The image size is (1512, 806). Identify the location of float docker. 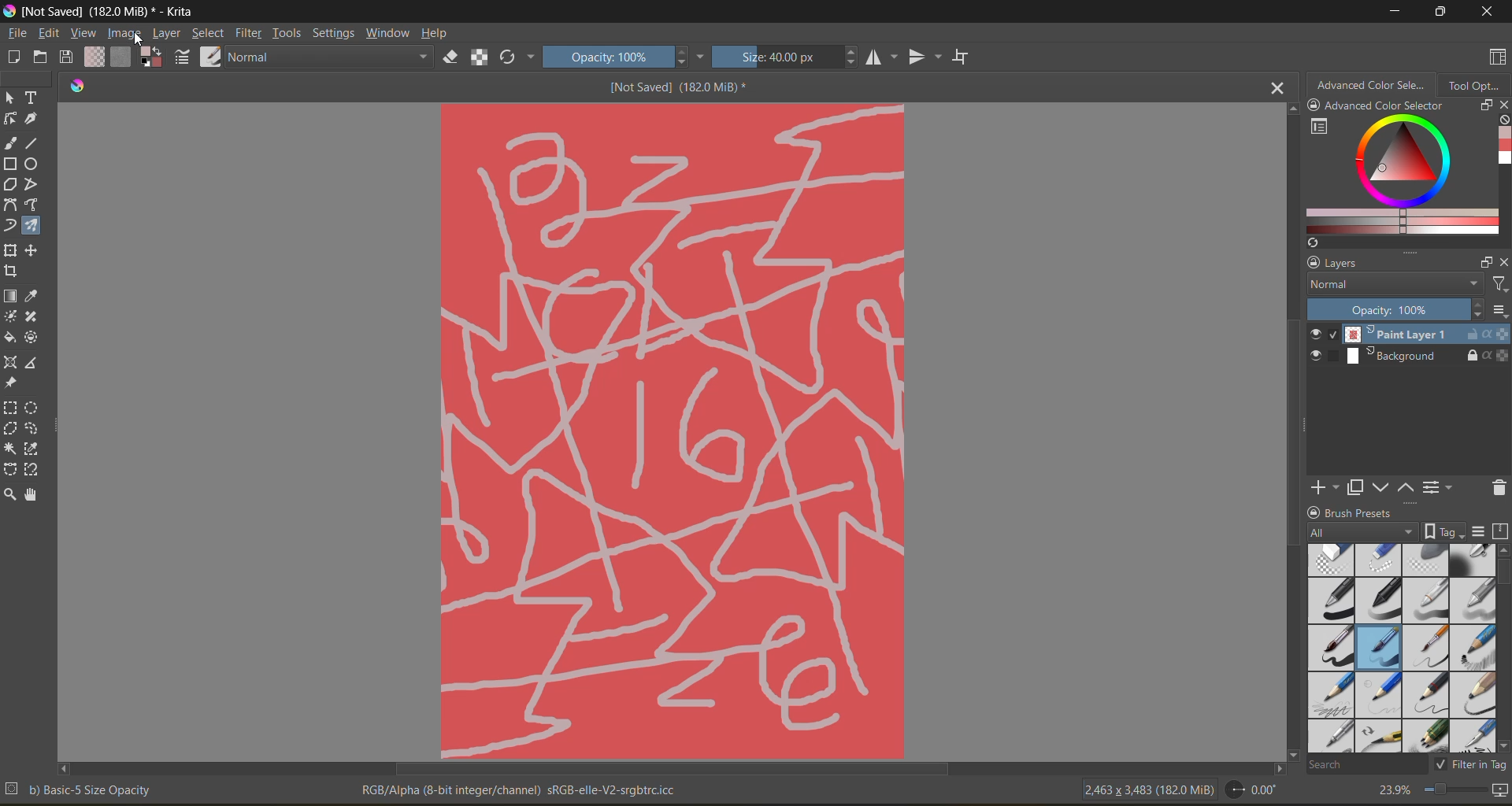
(1486, 106).